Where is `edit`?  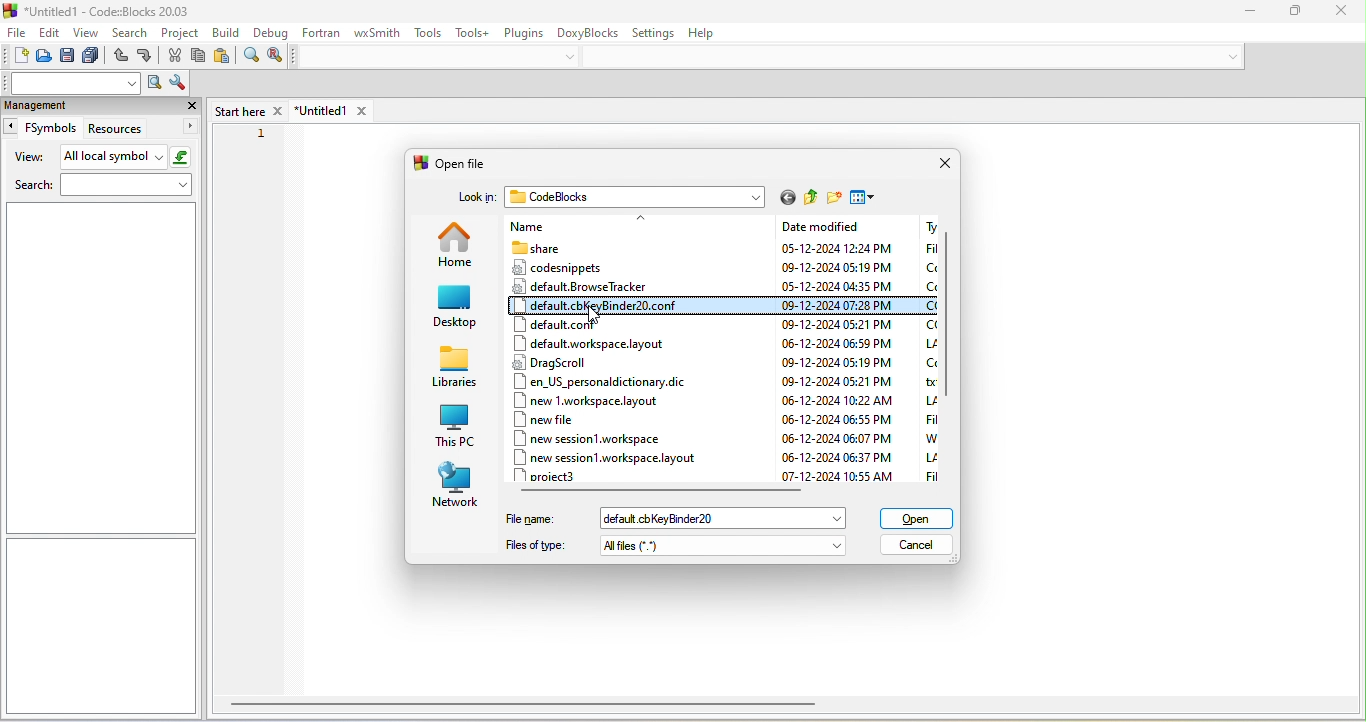 edit is located at coordinates (50, 32).